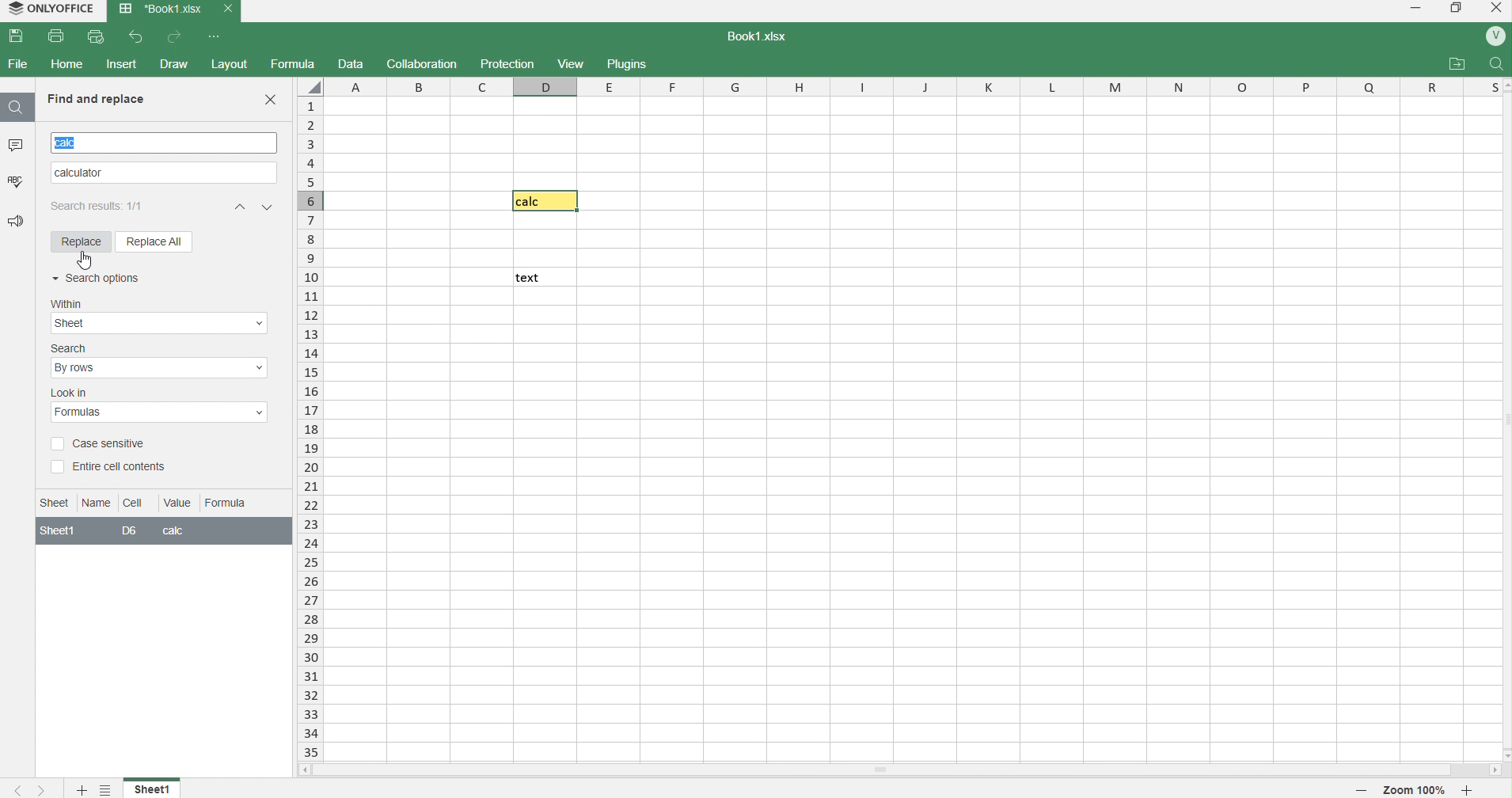 This screenshot has width=1512, height=798. I want to click on view, so click(574, 63).